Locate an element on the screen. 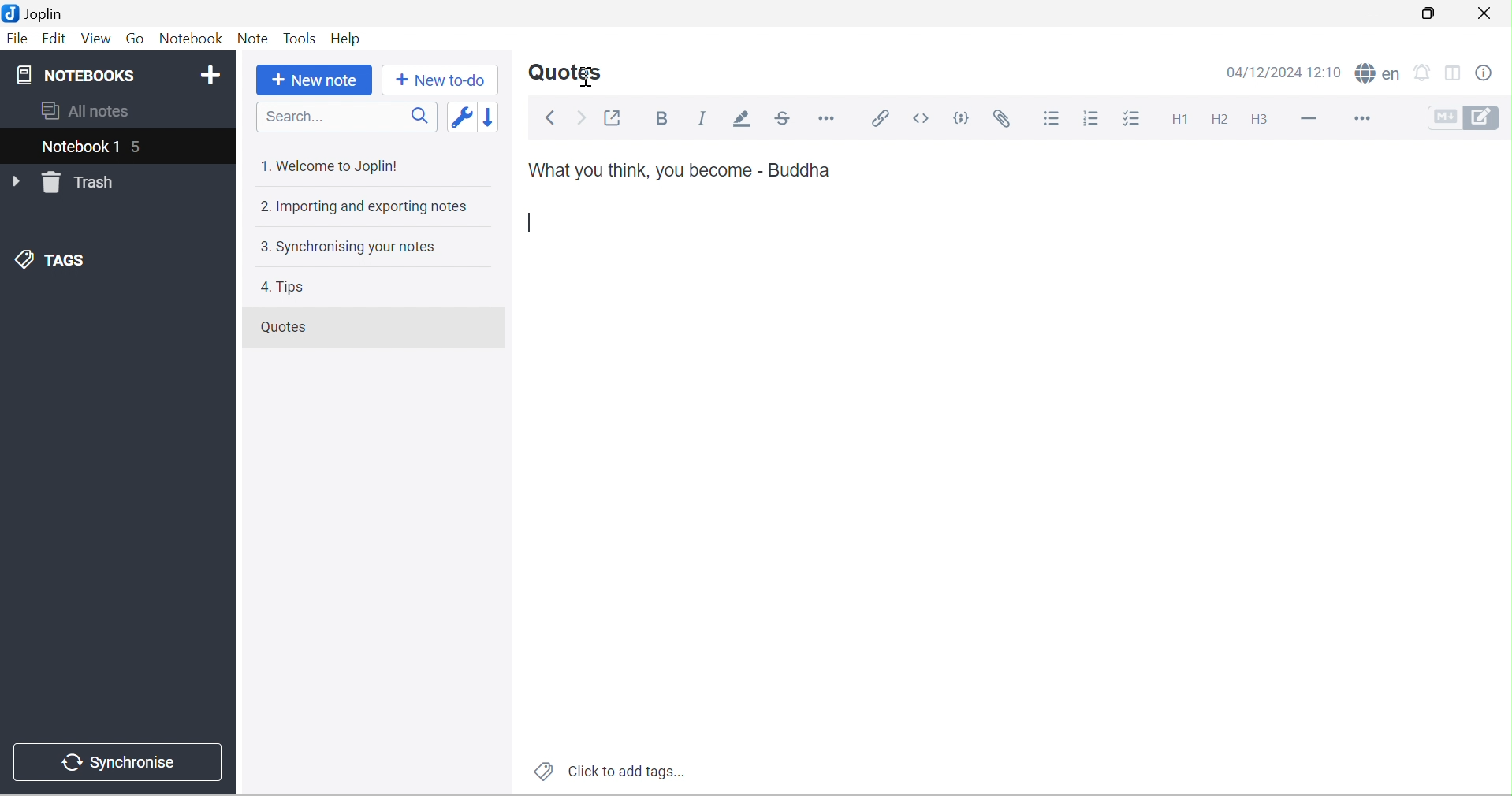  Minimize is located at coordinates (1376, 13).